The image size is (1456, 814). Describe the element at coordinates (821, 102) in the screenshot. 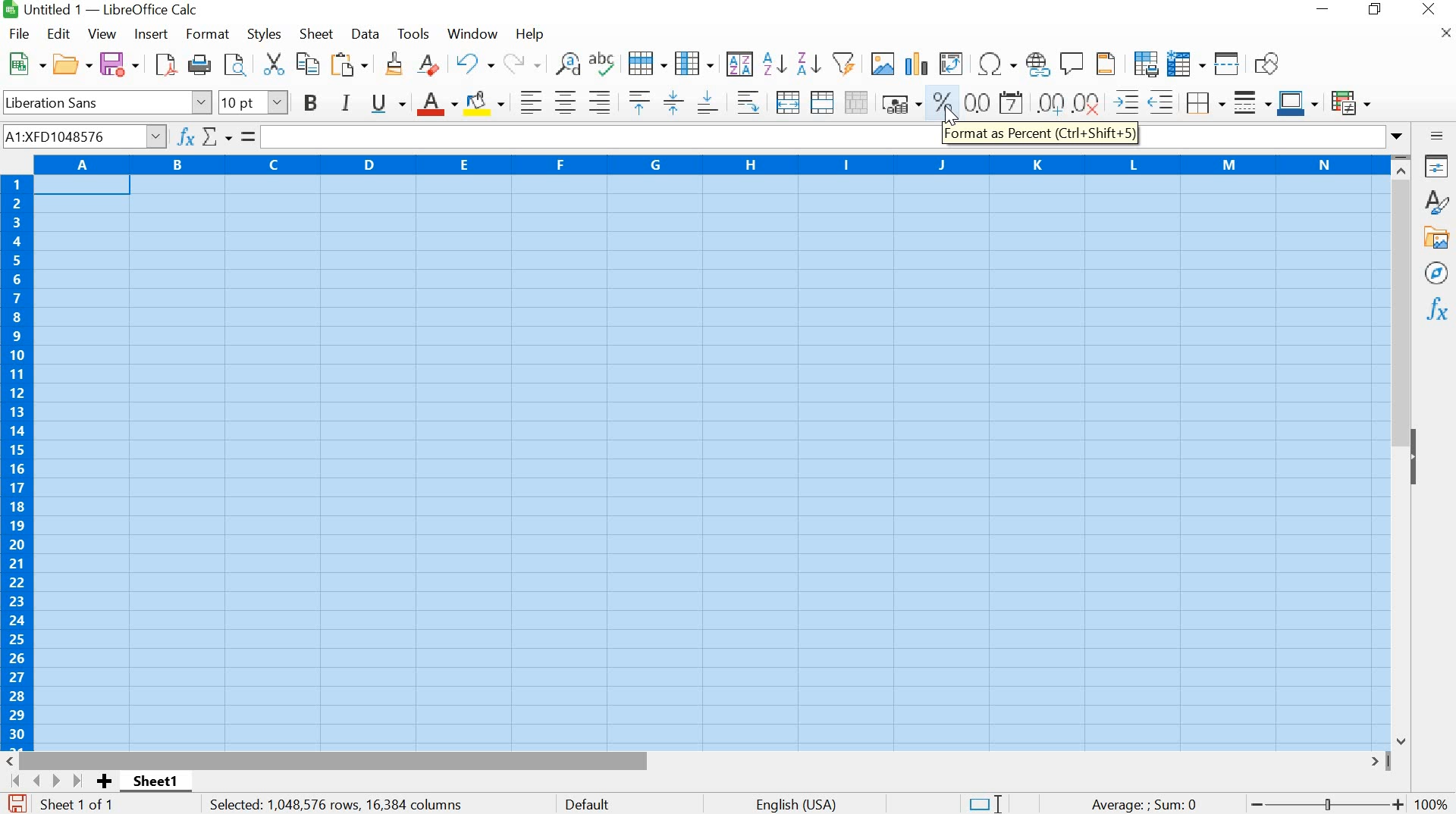

I see `Merge Cells` at that location.